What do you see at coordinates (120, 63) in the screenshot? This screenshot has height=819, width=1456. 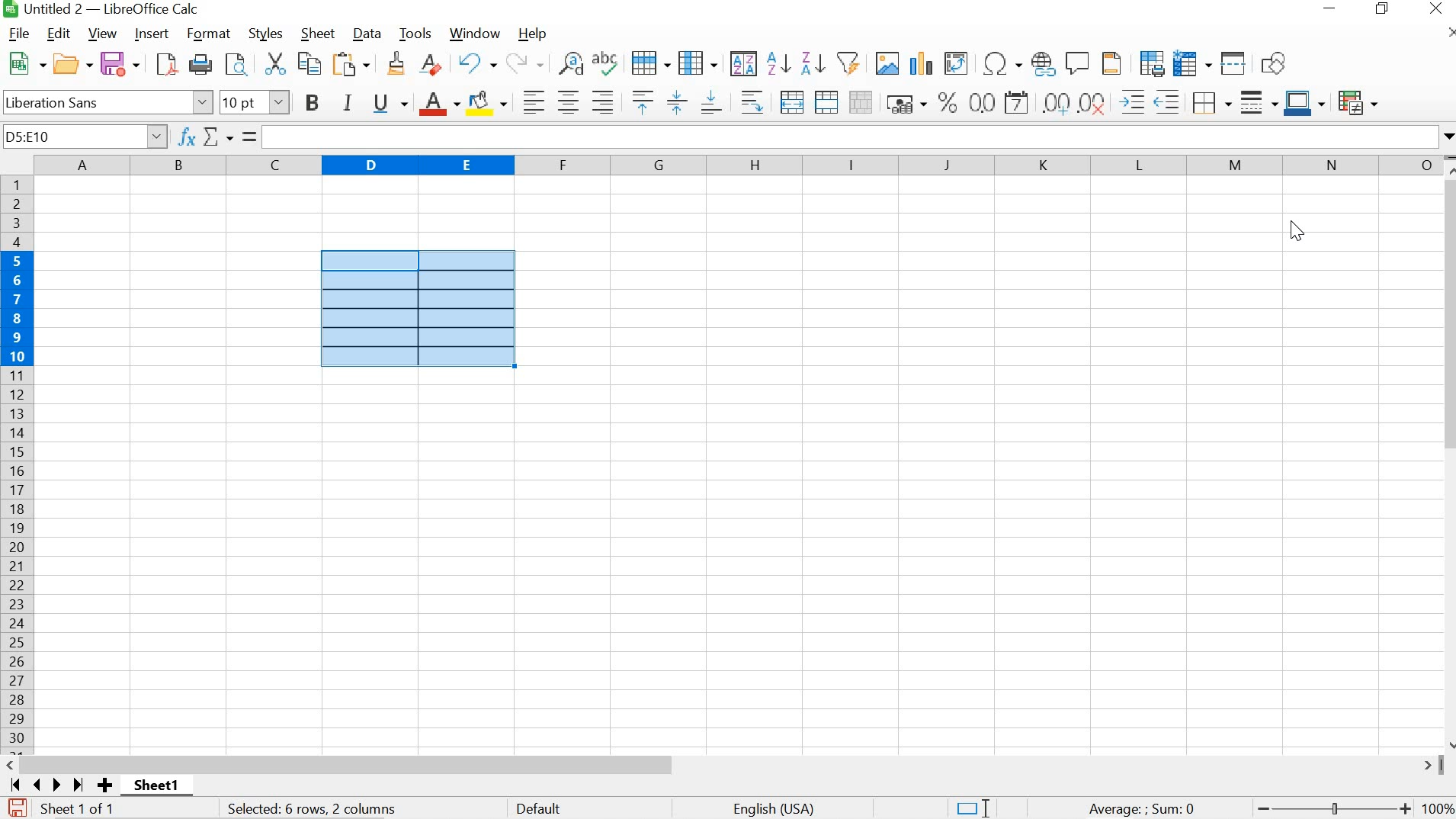 I see `SAVE` at bounding box center [120, 63].